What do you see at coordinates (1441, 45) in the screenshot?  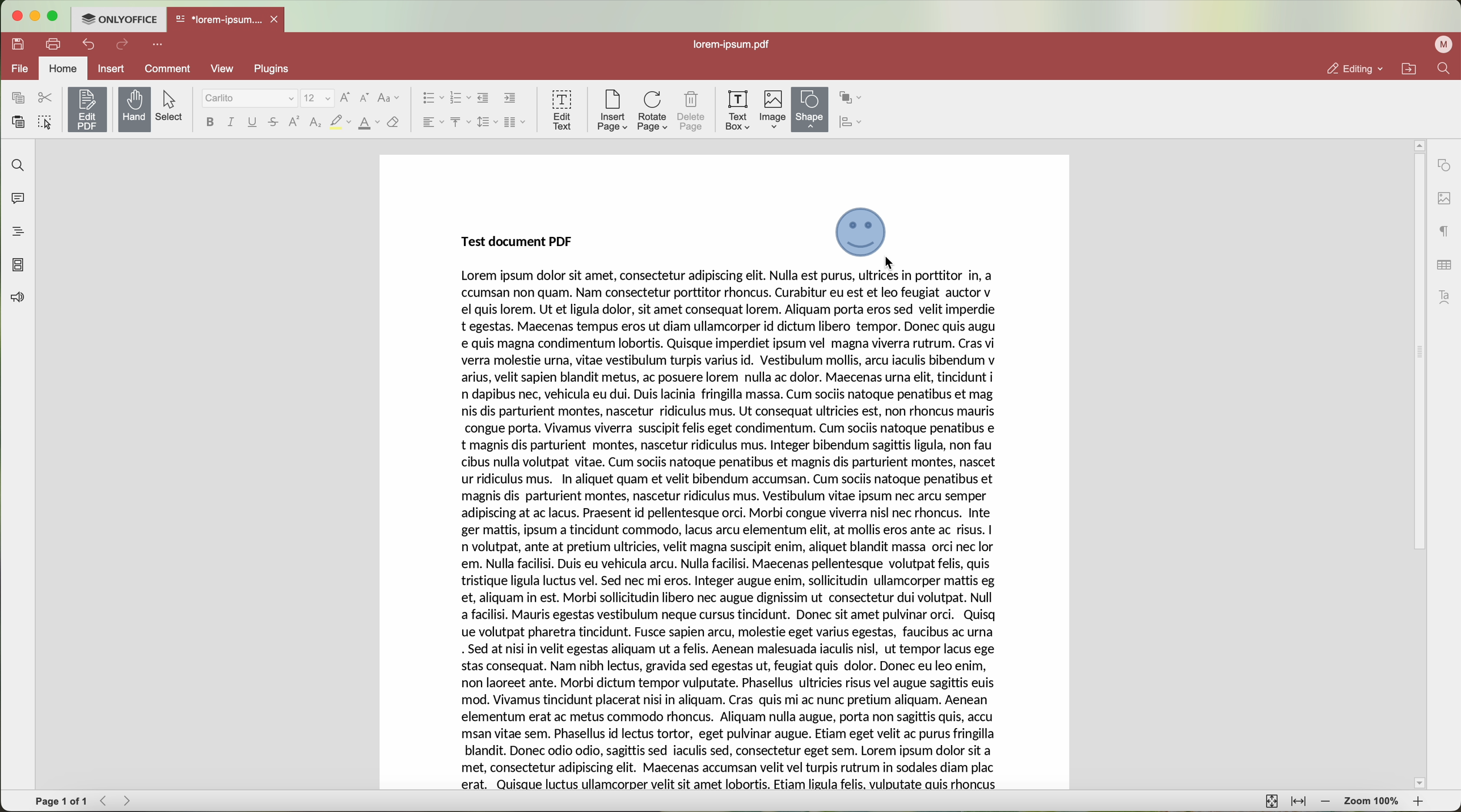 I see `profile` at bounding box center [1441, 45].